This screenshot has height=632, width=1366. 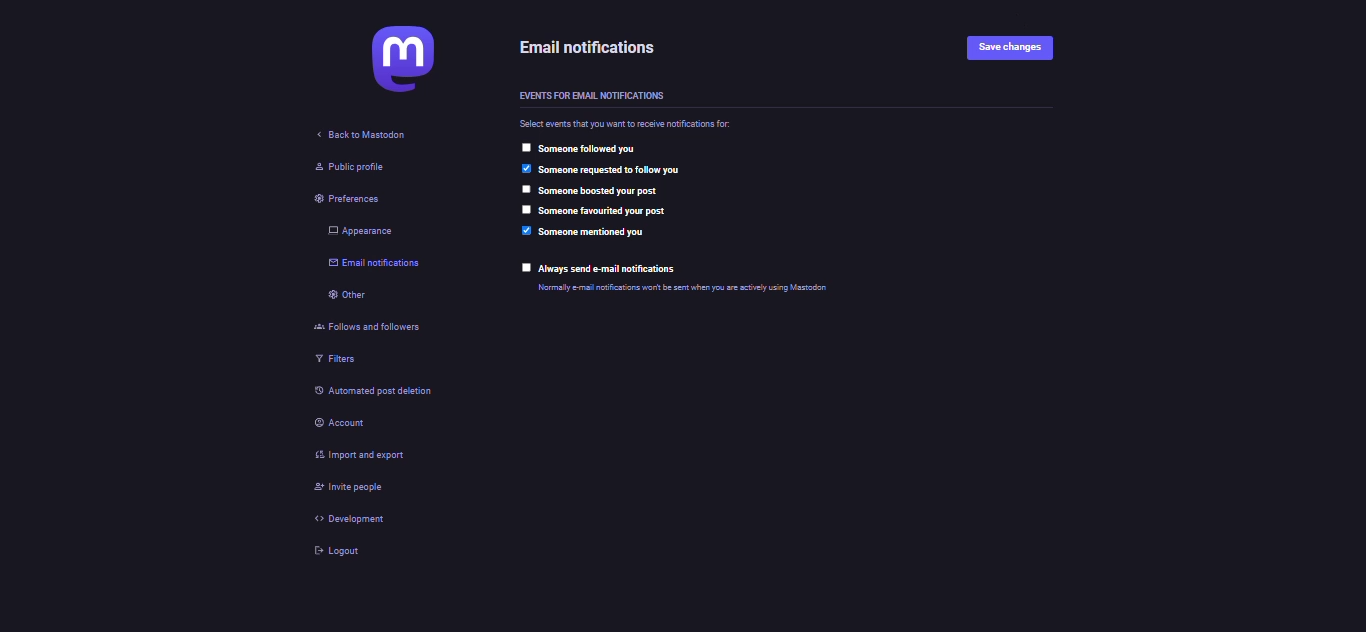 I want to click on someone requested to follow you, so click(x=608, y=170).